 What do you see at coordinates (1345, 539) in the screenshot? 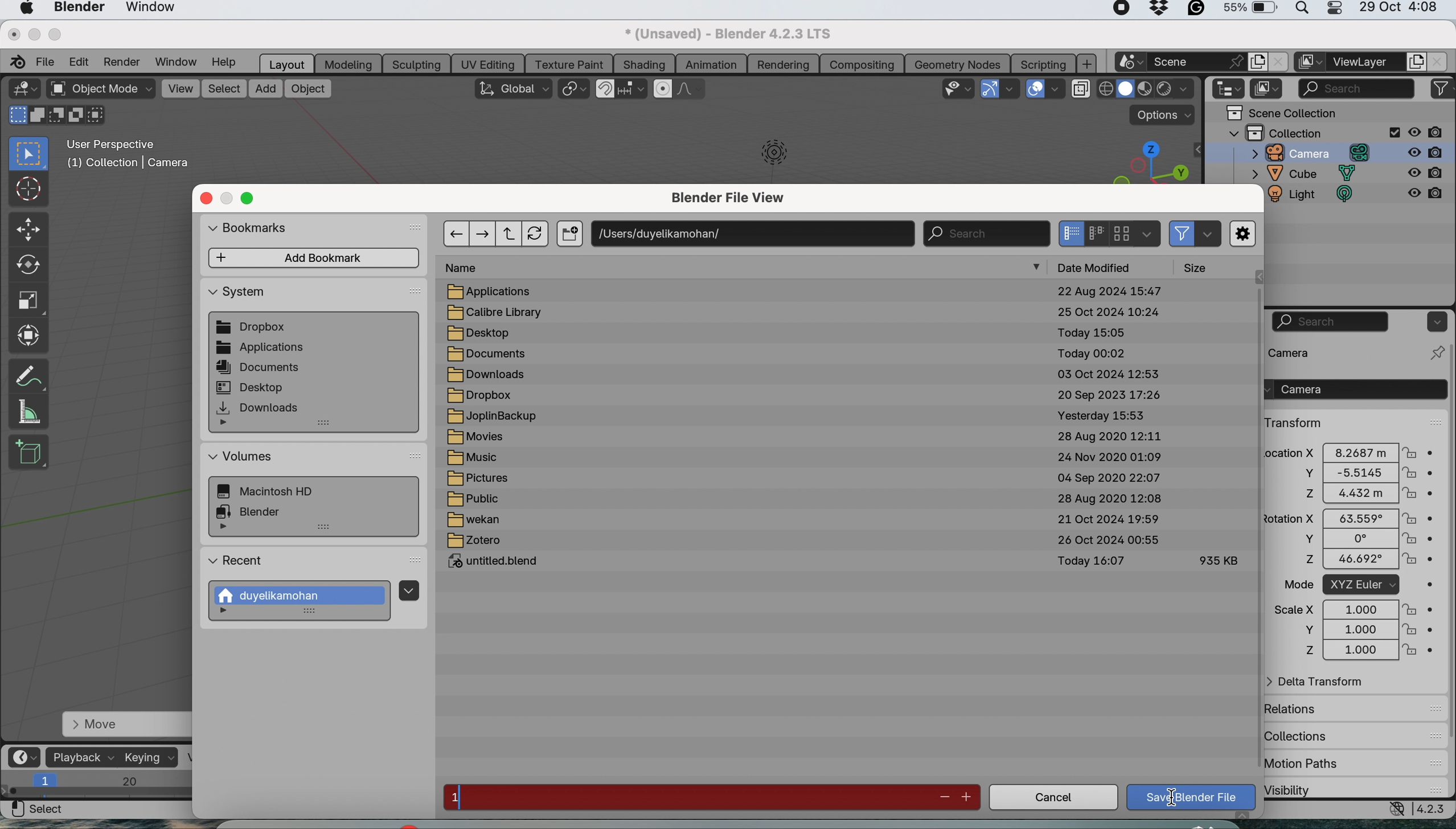
I see `y 0` at bounding box center [1345, 539].